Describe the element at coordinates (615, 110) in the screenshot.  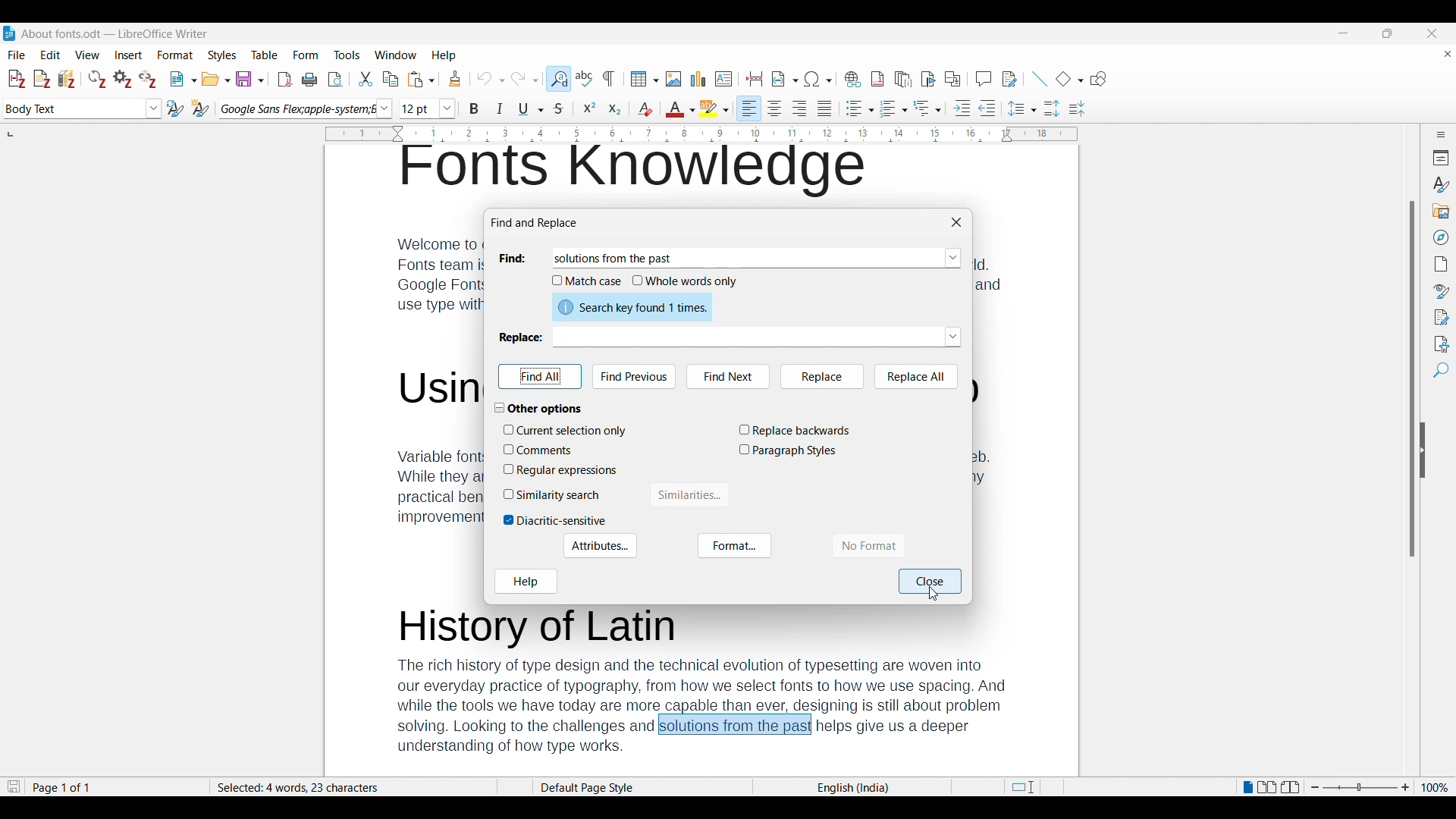
I see `Subscript` at that location.